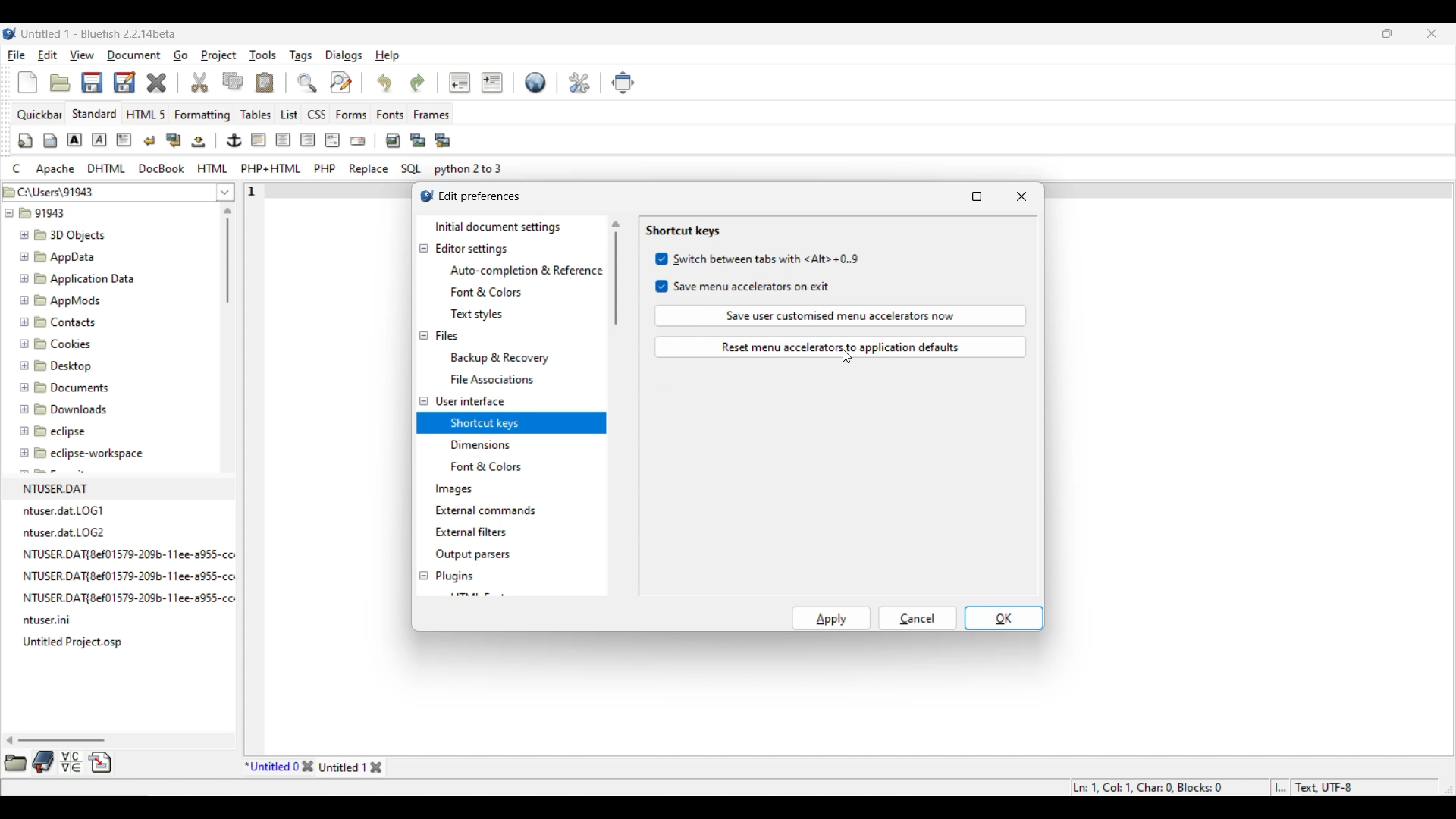  Describe the element at coordinates (504, 357) in the screenshot. I see `Backup & Recovery` at that location.